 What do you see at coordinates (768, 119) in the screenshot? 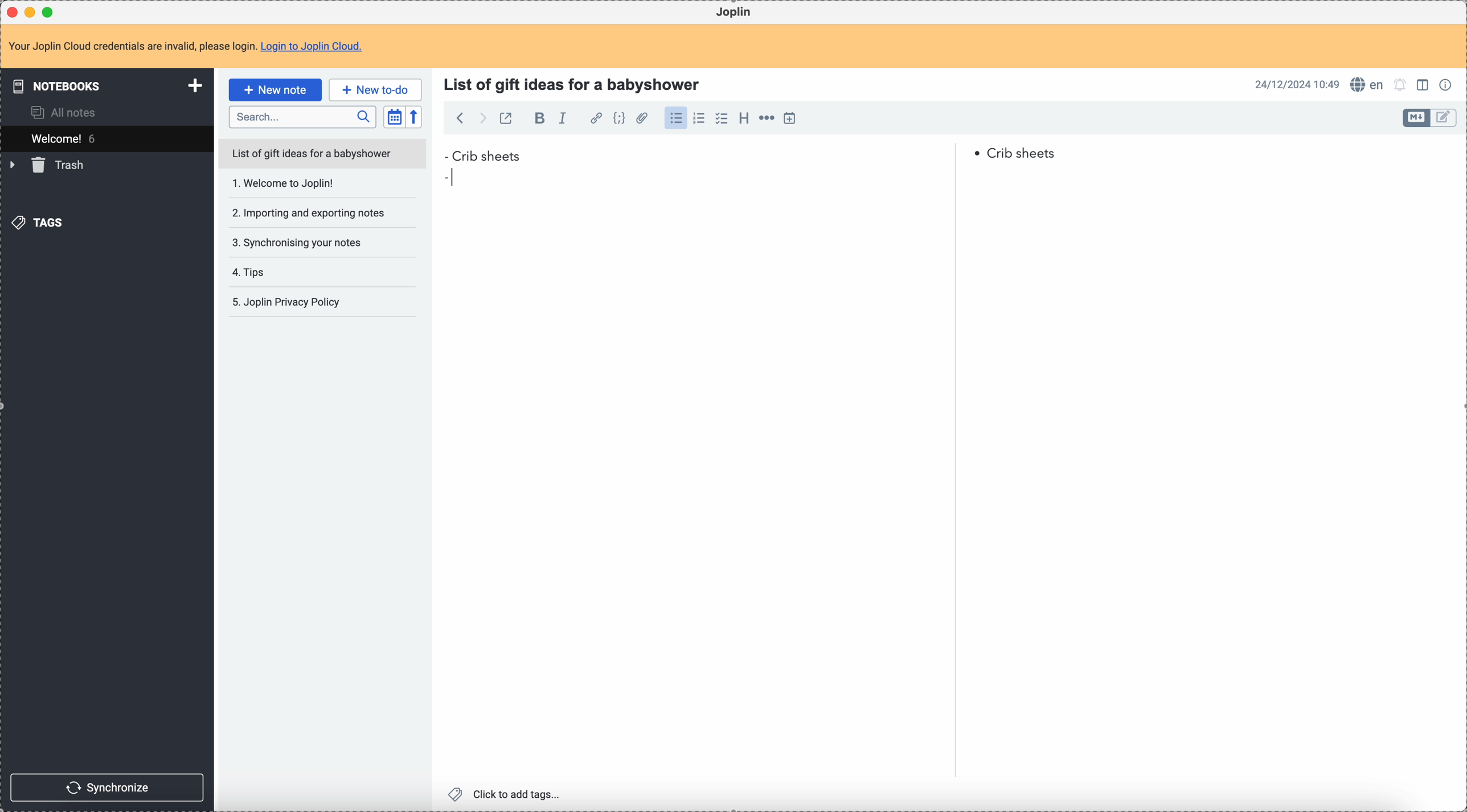
I see `horizontal rule` at bounding box center [768, 119].